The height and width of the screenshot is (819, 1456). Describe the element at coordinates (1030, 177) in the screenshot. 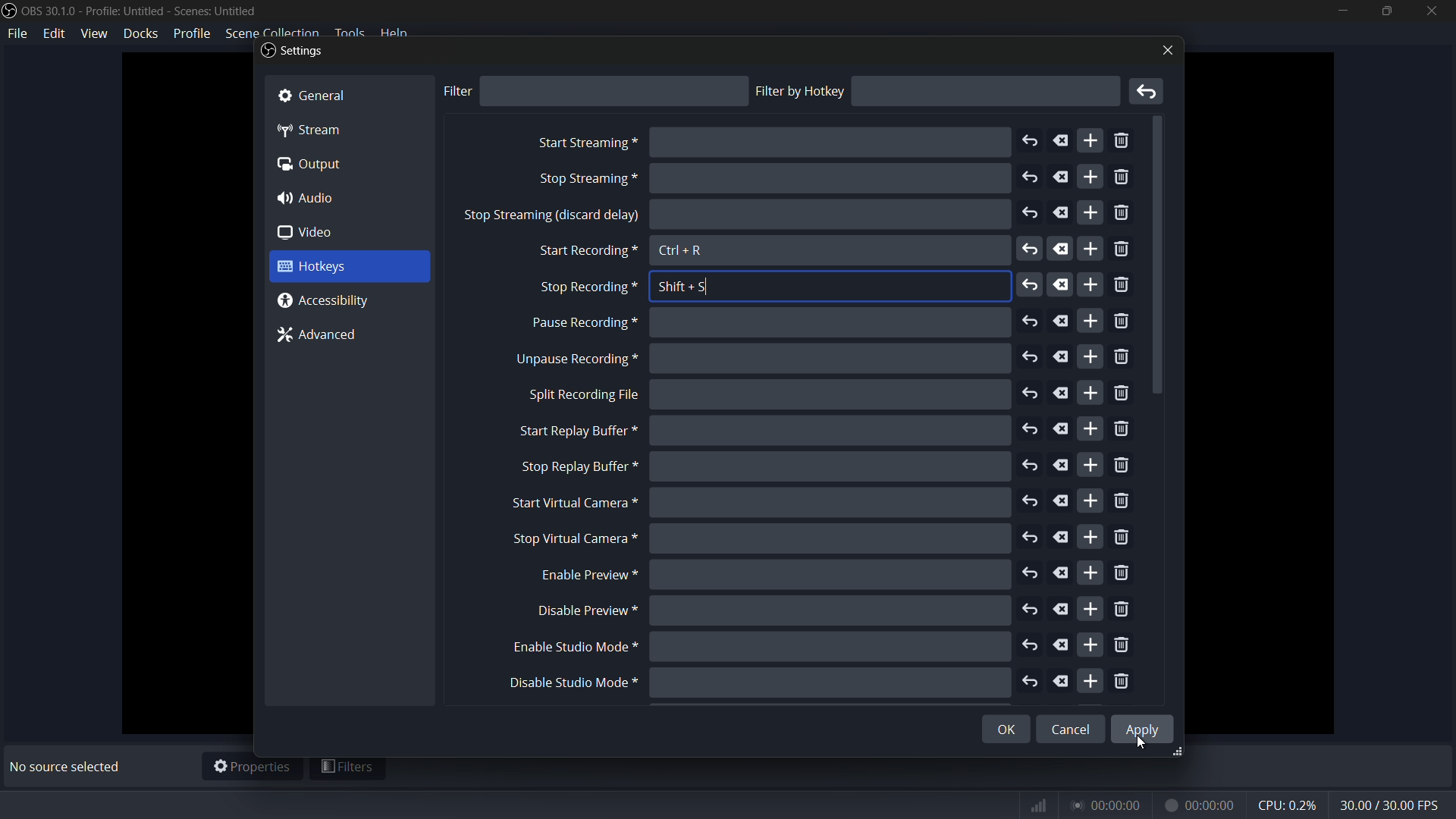

I see `undo` at that location.